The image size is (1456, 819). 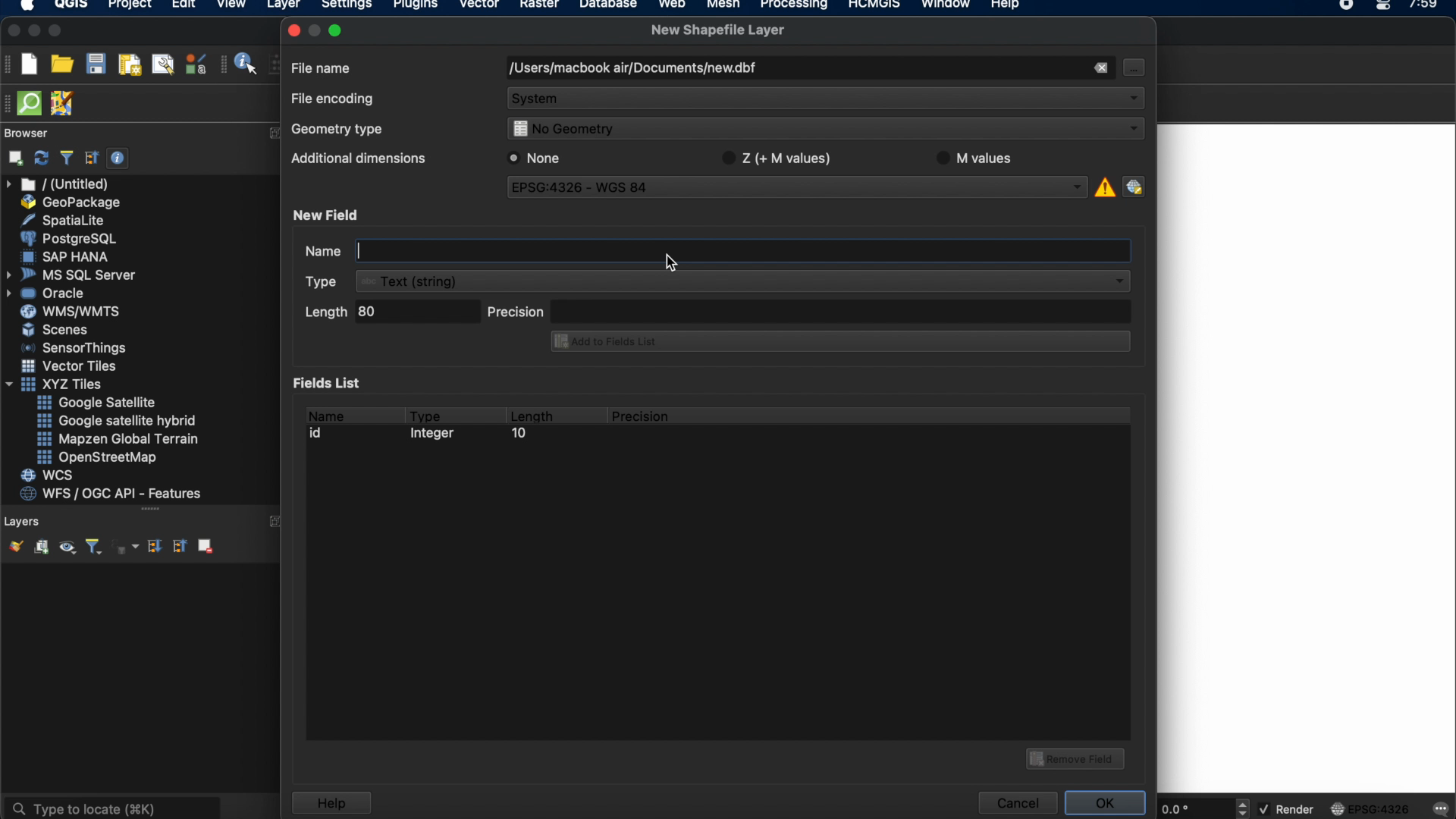 What do you see at coordinates (798, 6) in the screenshot?
I see `processing` at bounding box center [798, 6].